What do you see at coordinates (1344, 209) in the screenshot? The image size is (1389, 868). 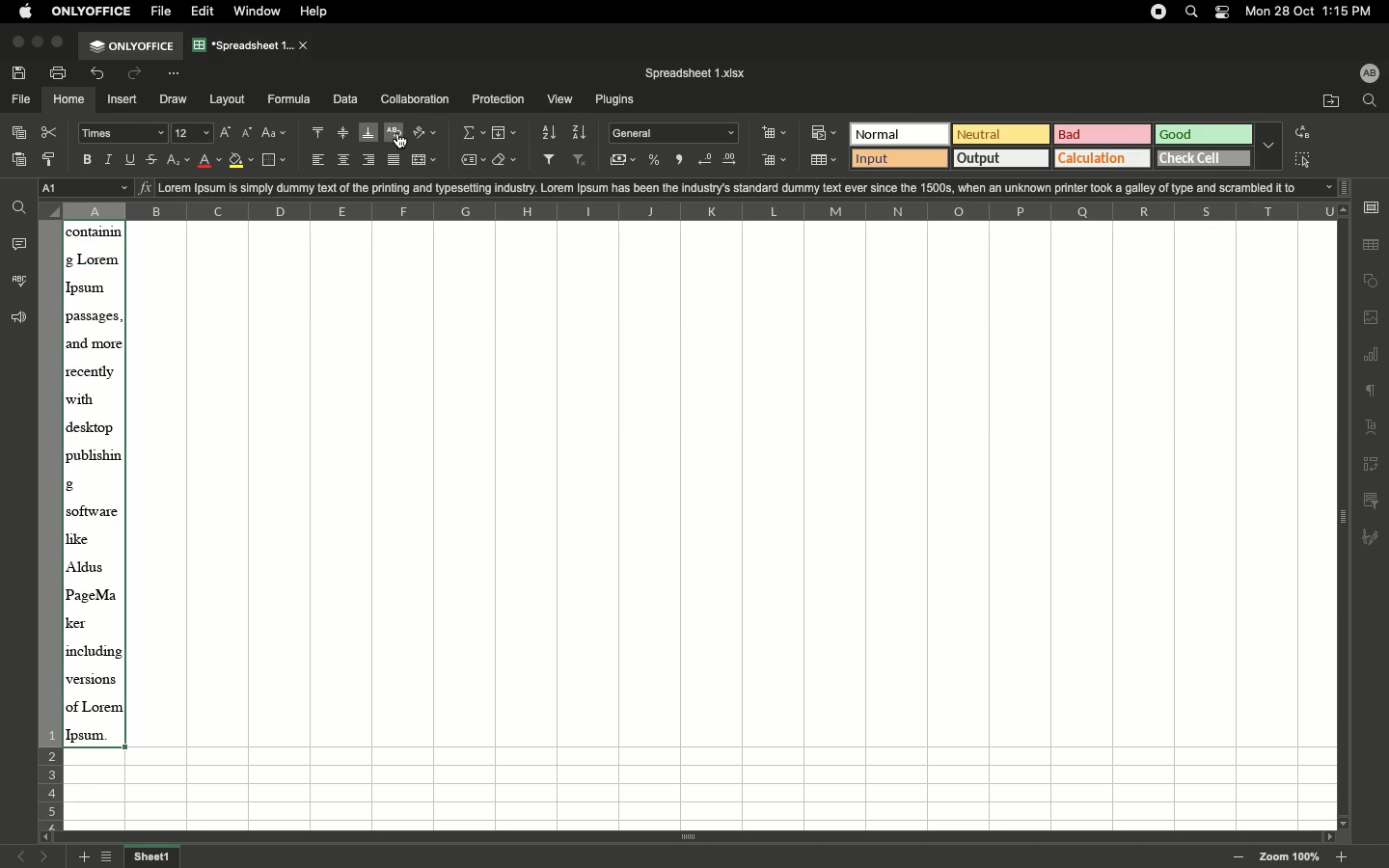 I see `move up` at bounding box center [1344, 209].